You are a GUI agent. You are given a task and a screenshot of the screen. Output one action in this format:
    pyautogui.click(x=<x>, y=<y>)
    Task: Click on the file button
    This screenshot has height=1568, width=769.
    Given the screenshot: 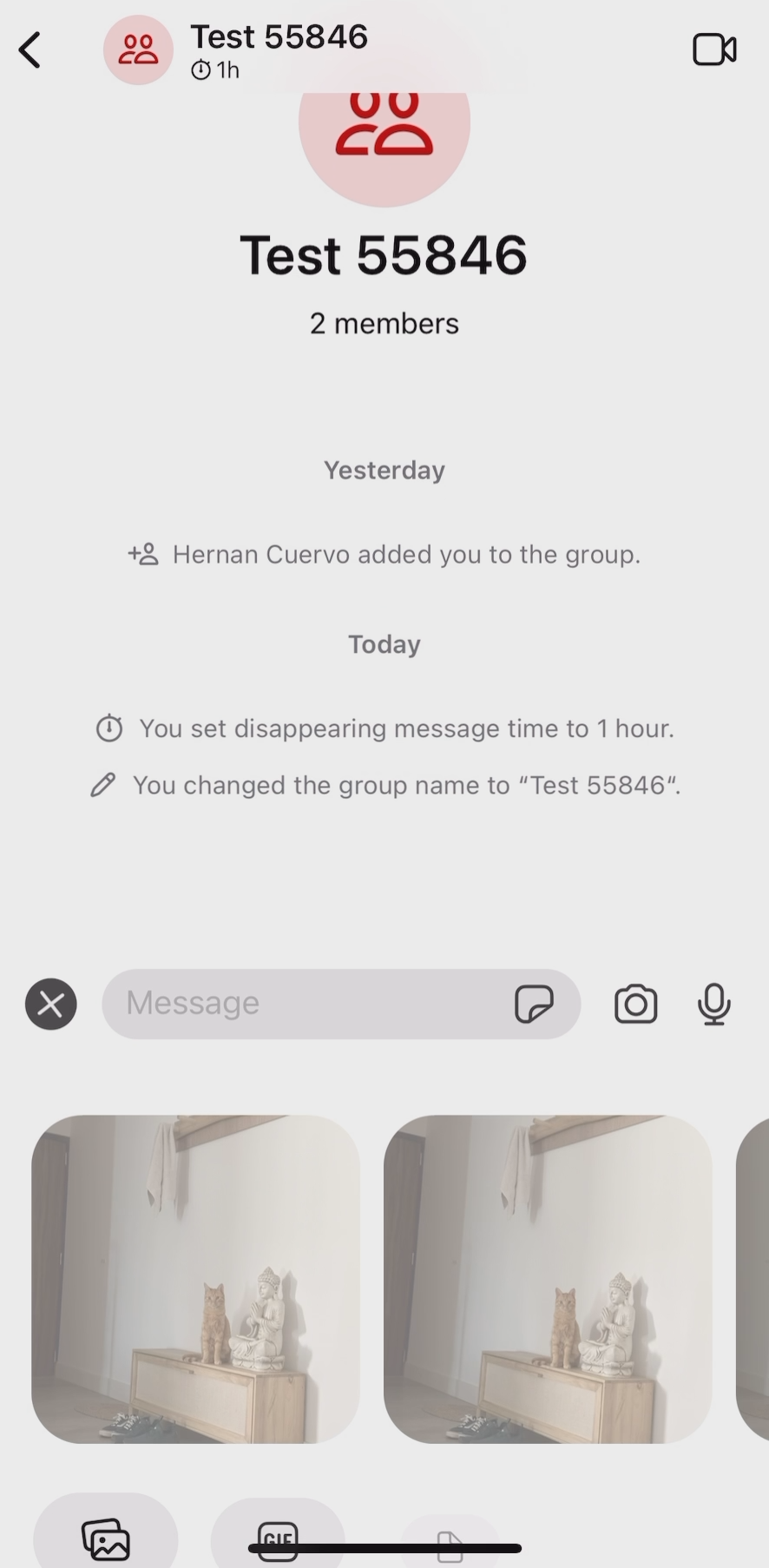 What is the action you would take?
    pyautogui.click(x=446, y=1532)
    